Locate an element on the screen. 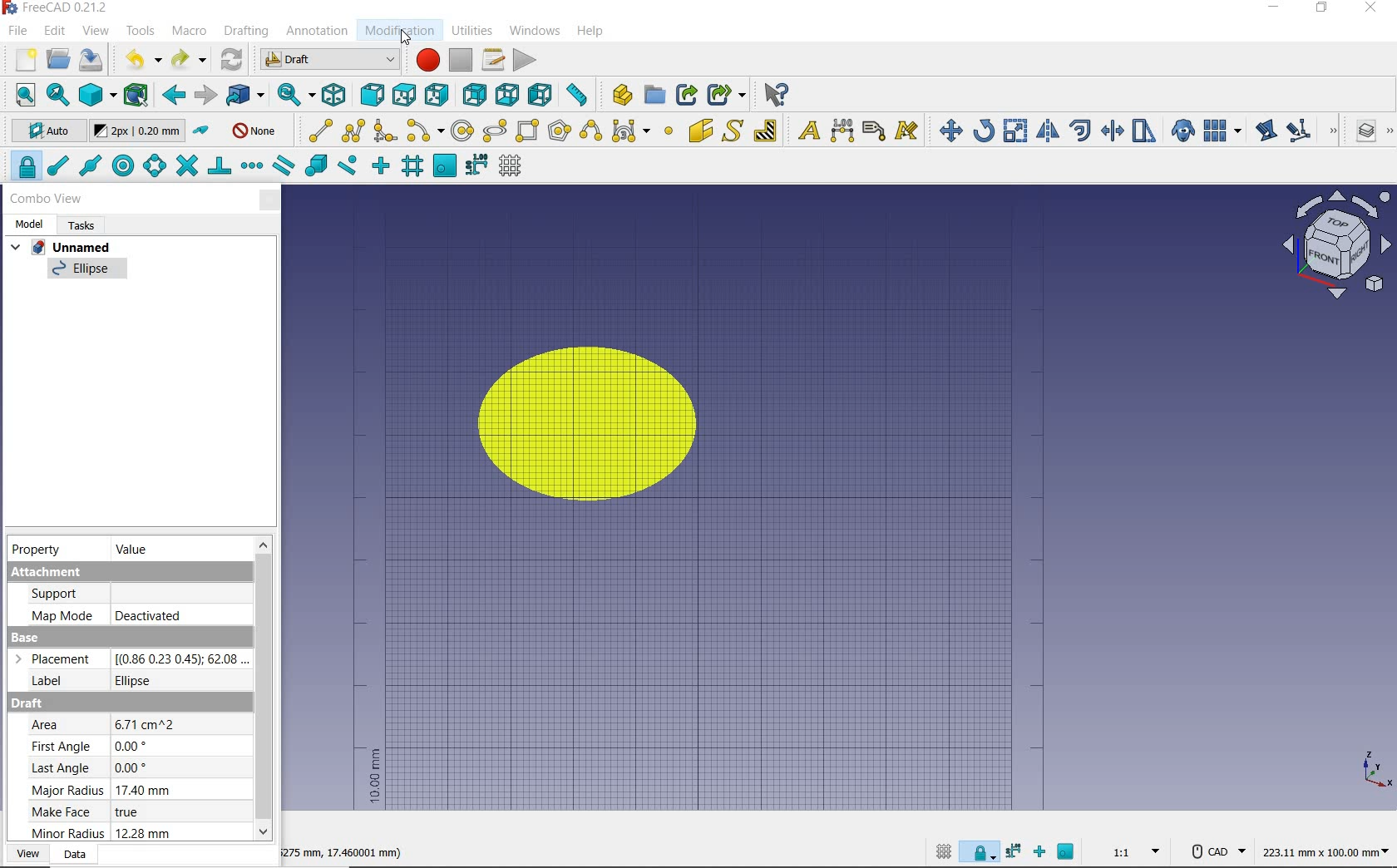 This screenshot has height=868, width=1397. open is located at coordinates (57, 60).